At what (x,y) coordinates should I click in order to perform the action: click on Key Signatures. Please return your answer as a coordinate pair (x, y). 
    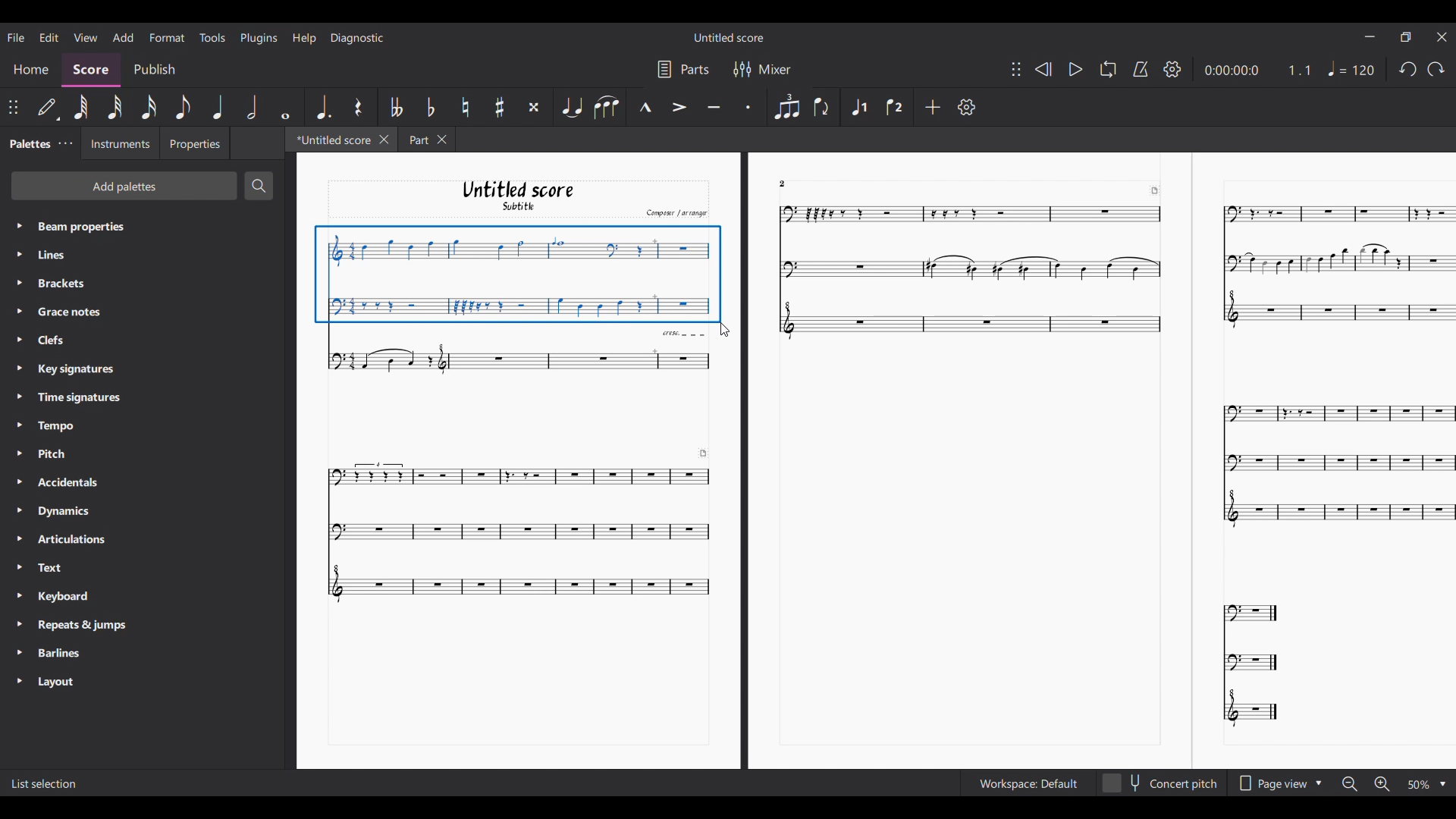
    Looking at the image, I should click on (76, 369).